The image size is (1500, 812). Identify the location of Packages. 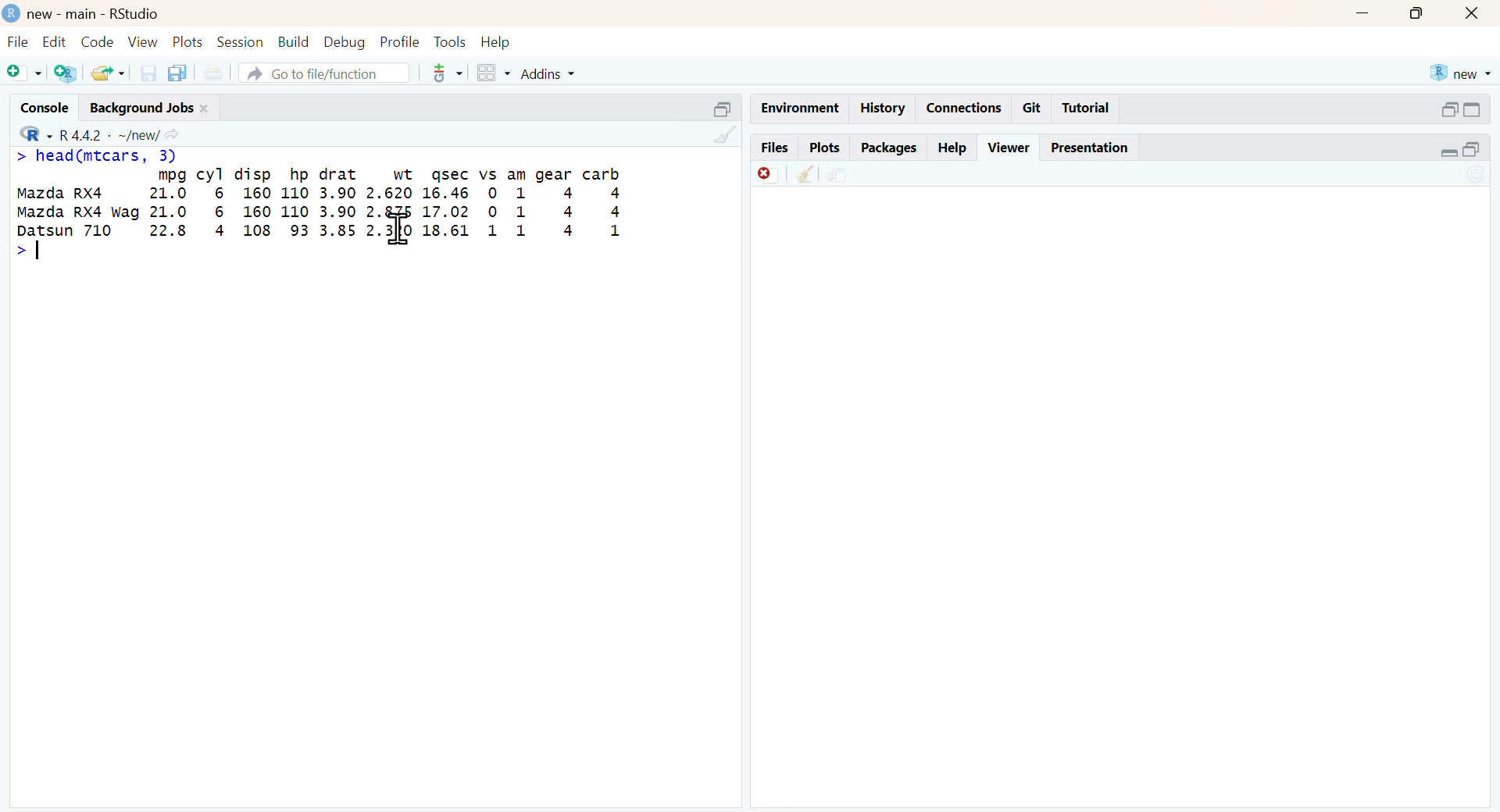
(889, 146).